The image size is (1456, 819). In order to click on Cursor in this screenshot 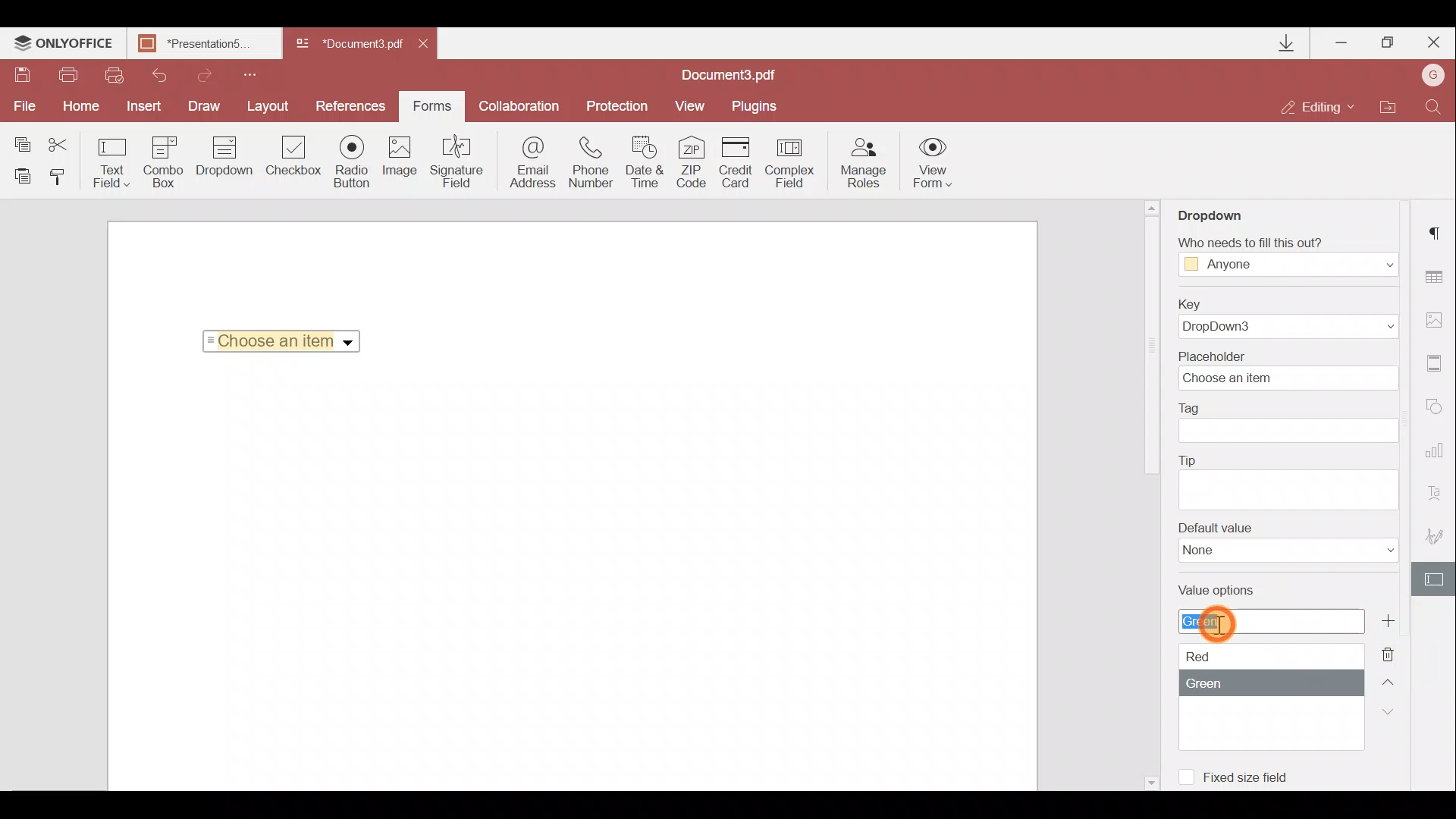, I will do `click(1213, 622)`.